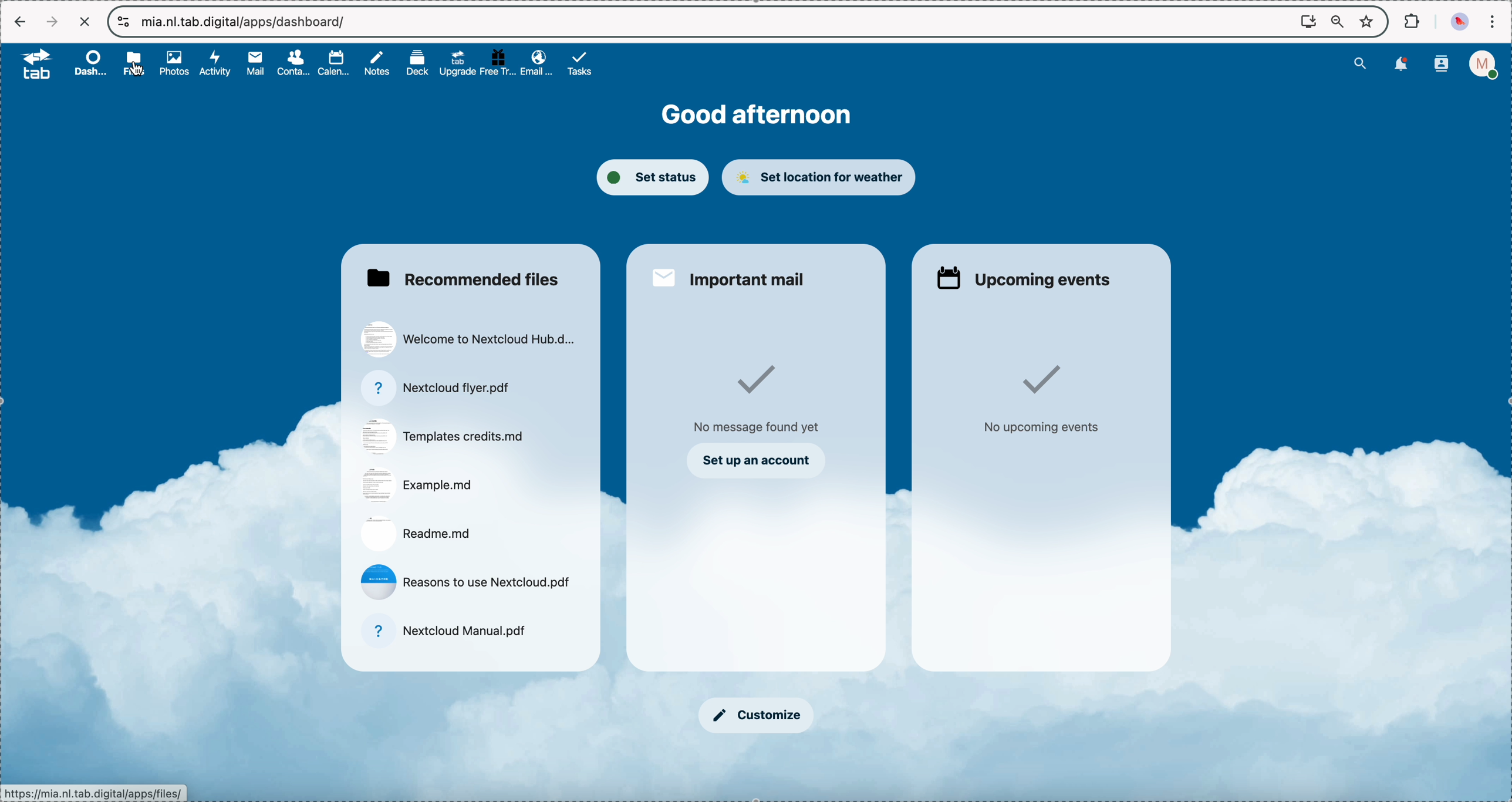  Describe the element at coordinates (1360, 62) in the screenshot. I see `search` at that location.